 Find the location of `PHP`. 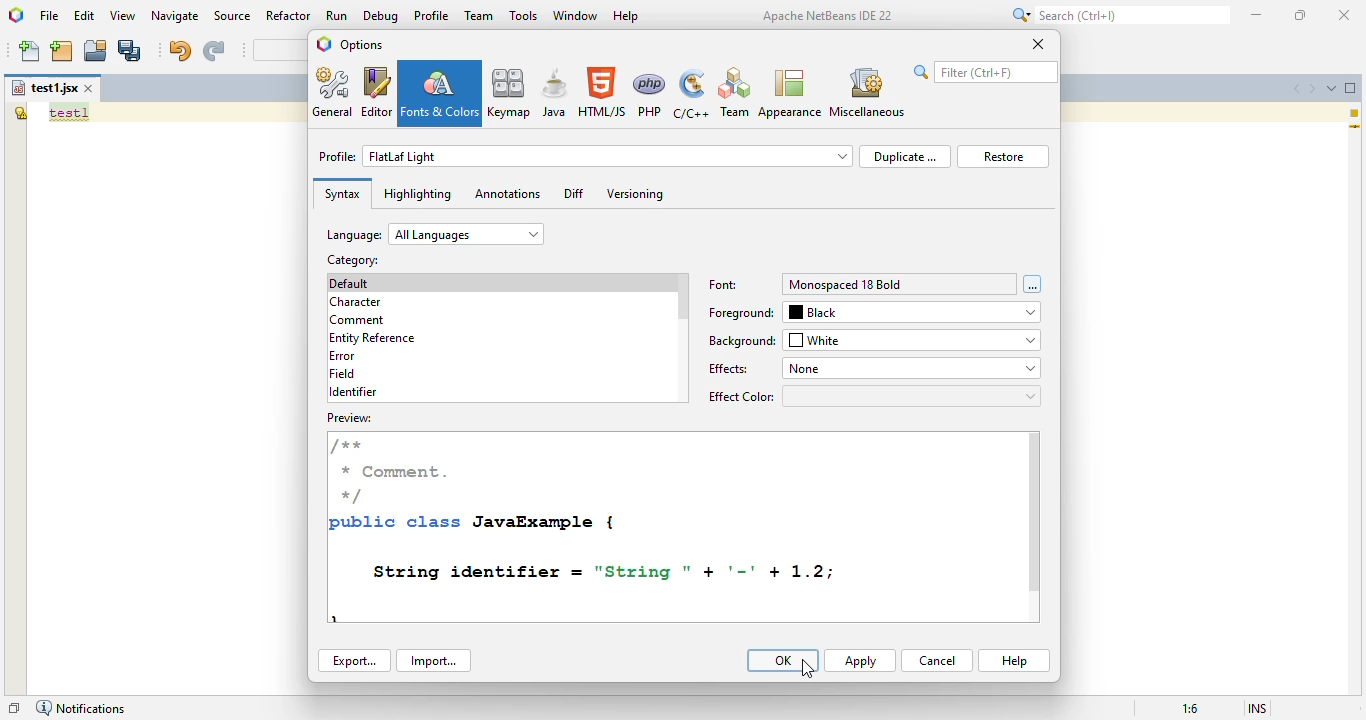

PHP is located at coordinates (651, 93).